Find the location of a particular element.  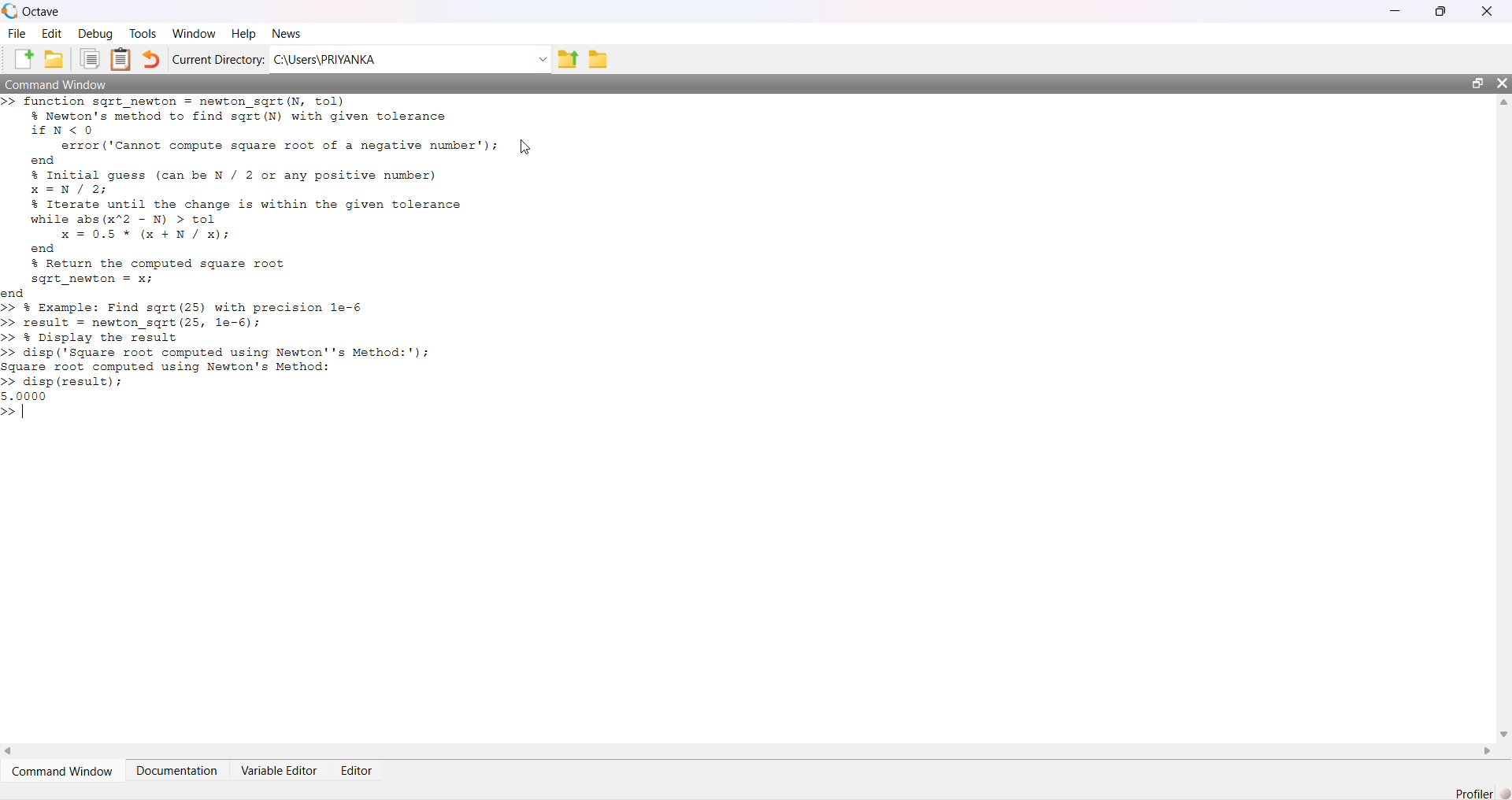

Close is located at coordinates (1485, 11).